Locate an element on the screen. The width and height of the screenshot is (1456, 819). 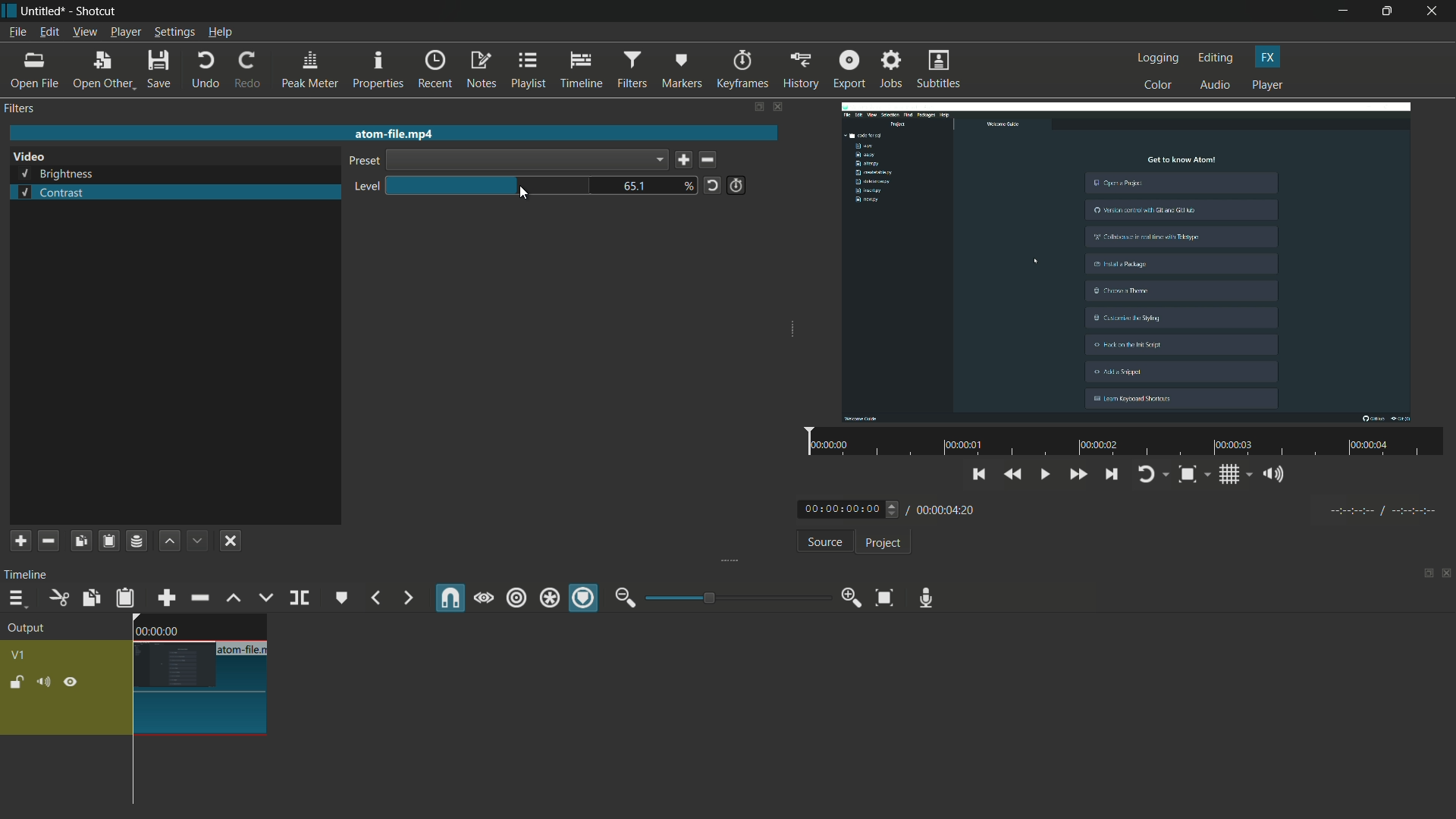
hide is located at coordinates (71, 682).